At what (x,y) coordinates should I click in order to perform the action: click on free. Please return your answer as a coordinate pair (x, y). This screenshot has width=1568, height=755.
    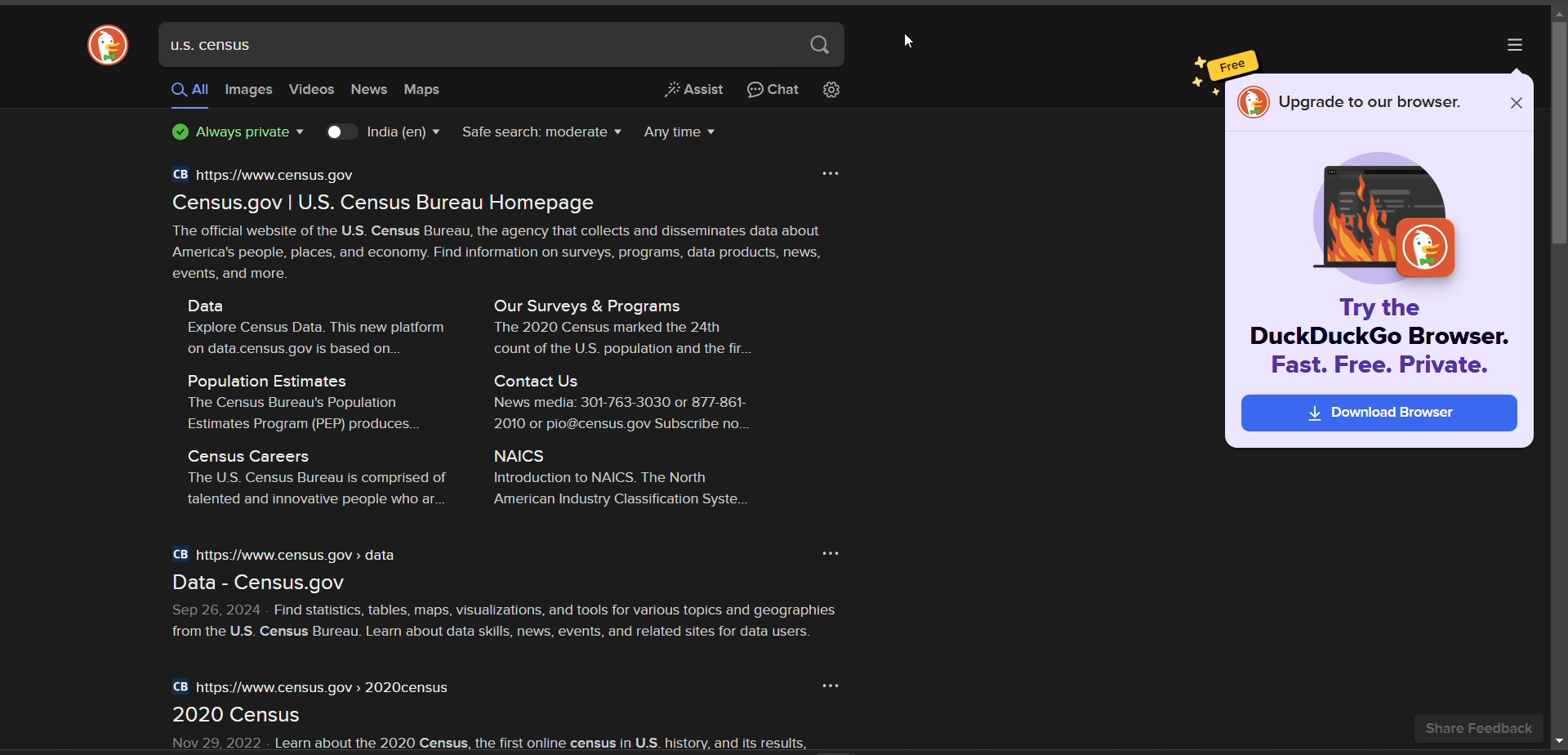
    Looking at the image, I should click on (1236, 65).